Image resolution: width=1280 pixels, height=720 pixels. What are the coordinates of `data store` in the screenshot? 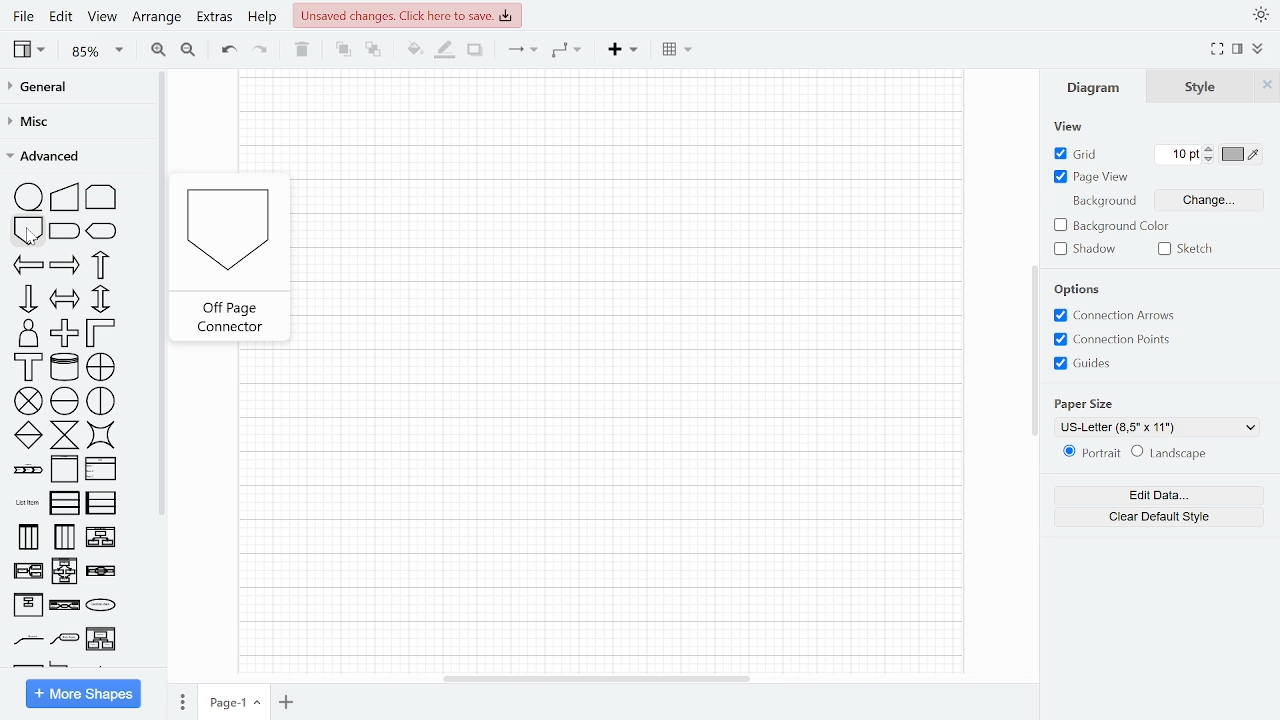 It's located at (66, 367).